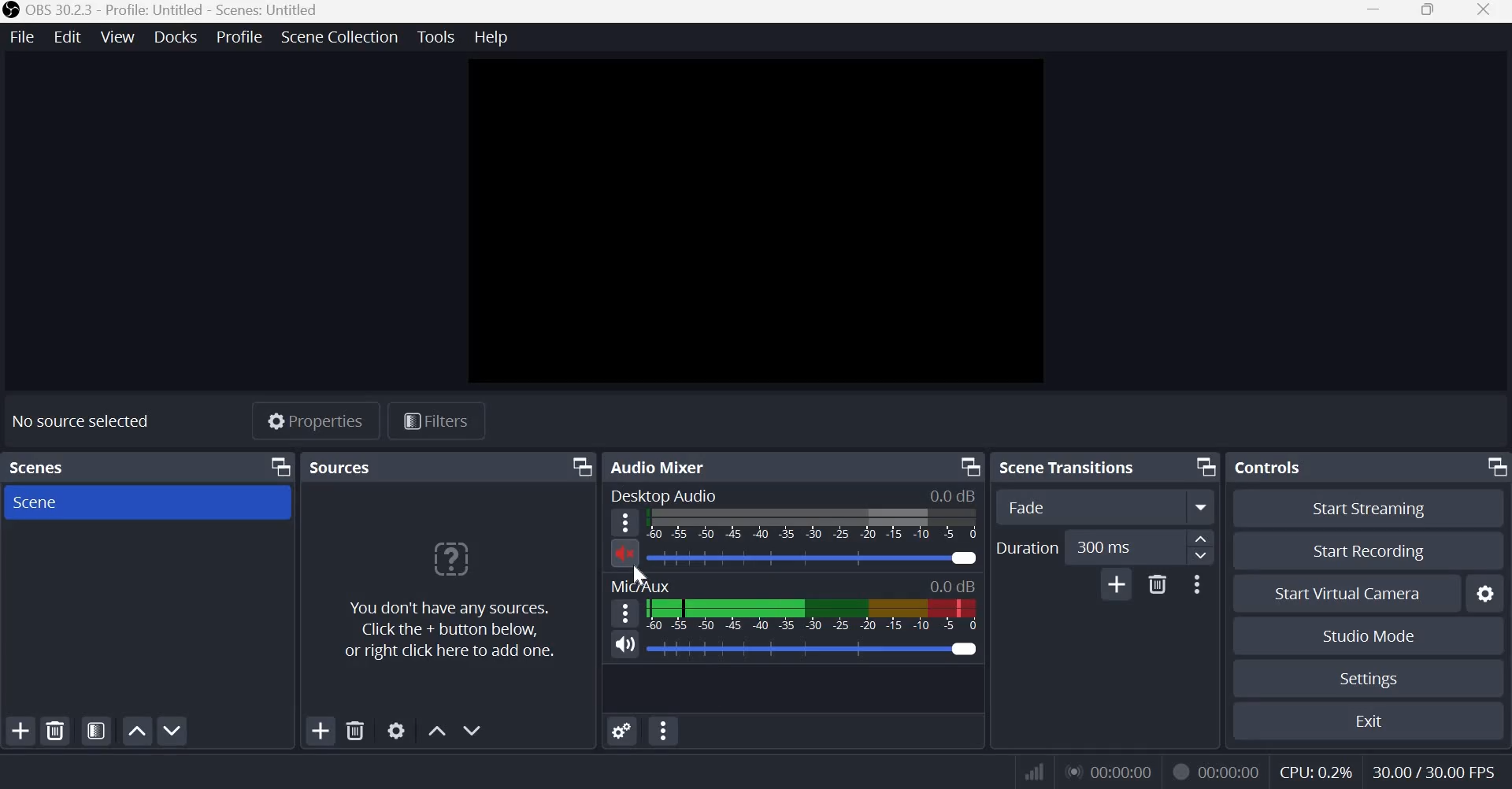 Image resolution: width=1512 pixels, height=789 pixels. I want to click on Connection Status Indicator, so click(1032, 772).